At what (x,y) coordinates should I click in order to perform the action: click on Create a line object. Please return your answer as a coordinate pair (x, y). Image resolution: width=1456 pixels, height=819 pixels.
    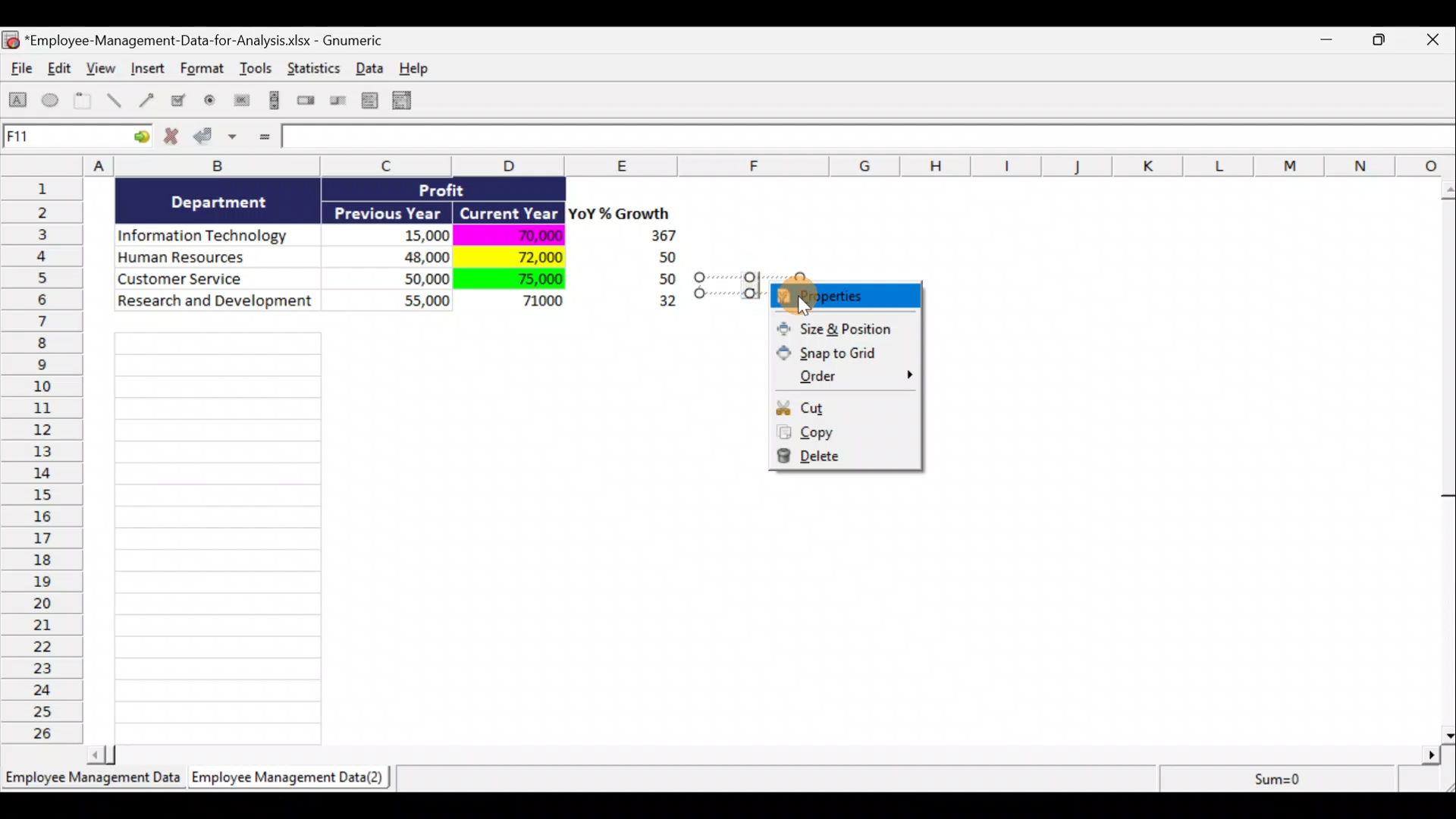
    Looking at the image, I should click on (117, 101).